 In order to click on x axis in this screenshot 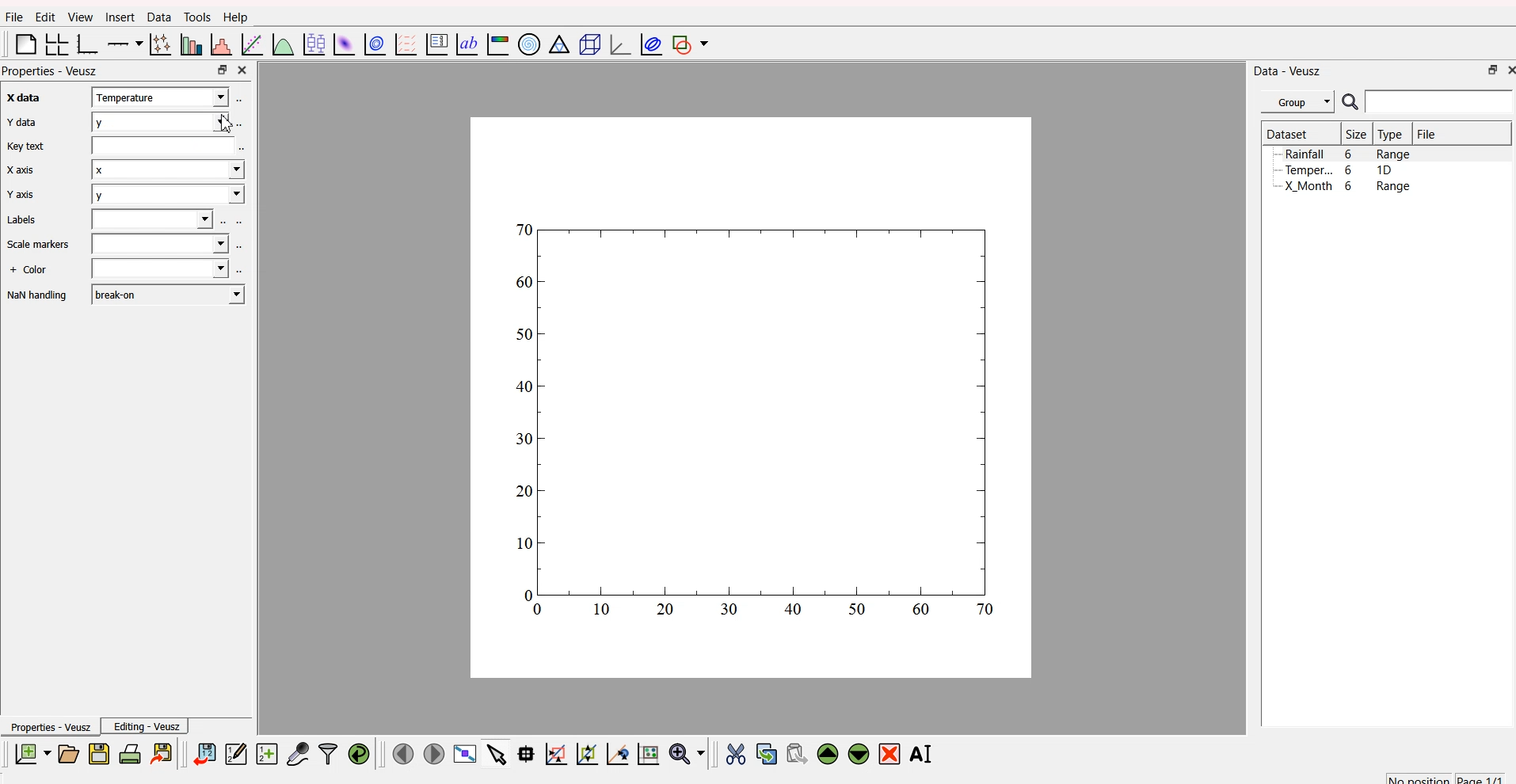, I will do `click(19, 99)`.